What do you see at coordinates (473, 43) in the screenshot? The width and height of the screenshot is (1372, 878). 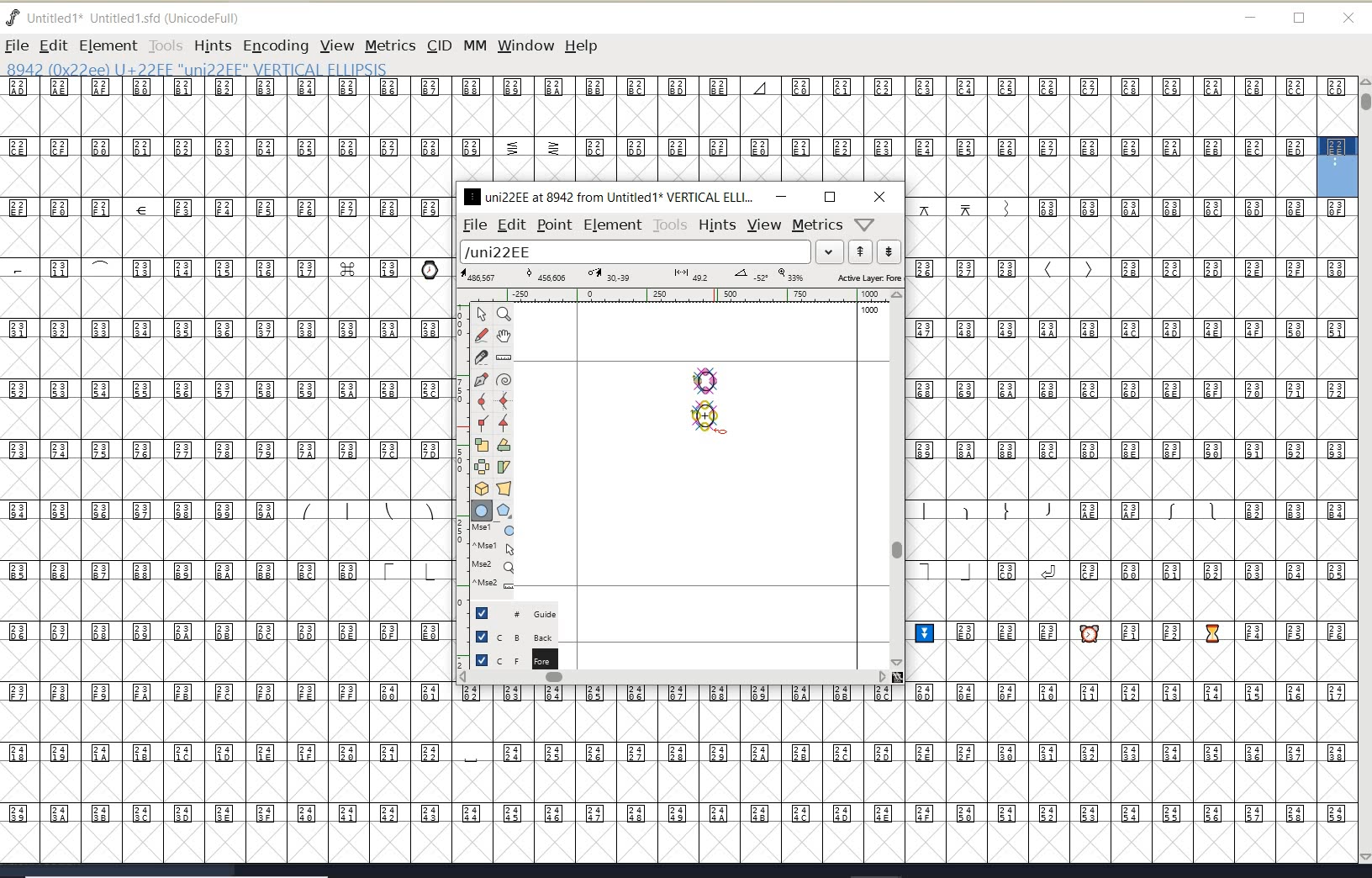 I see `mm` at bounding box center [473, 43].